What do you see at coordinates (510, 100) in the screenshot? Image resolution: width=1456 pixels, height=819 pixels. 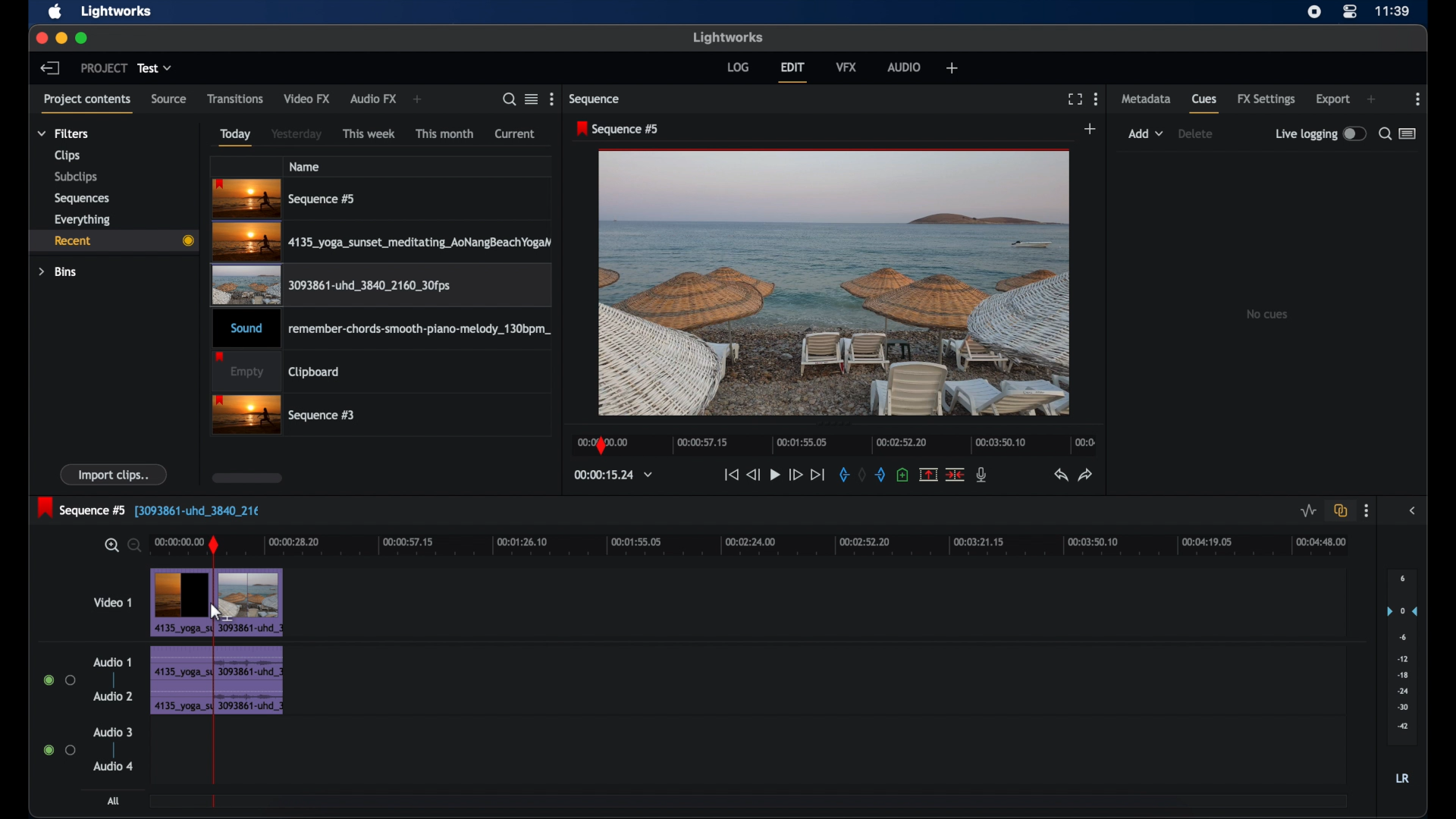 I see `search` at bounding box center [510, 100].